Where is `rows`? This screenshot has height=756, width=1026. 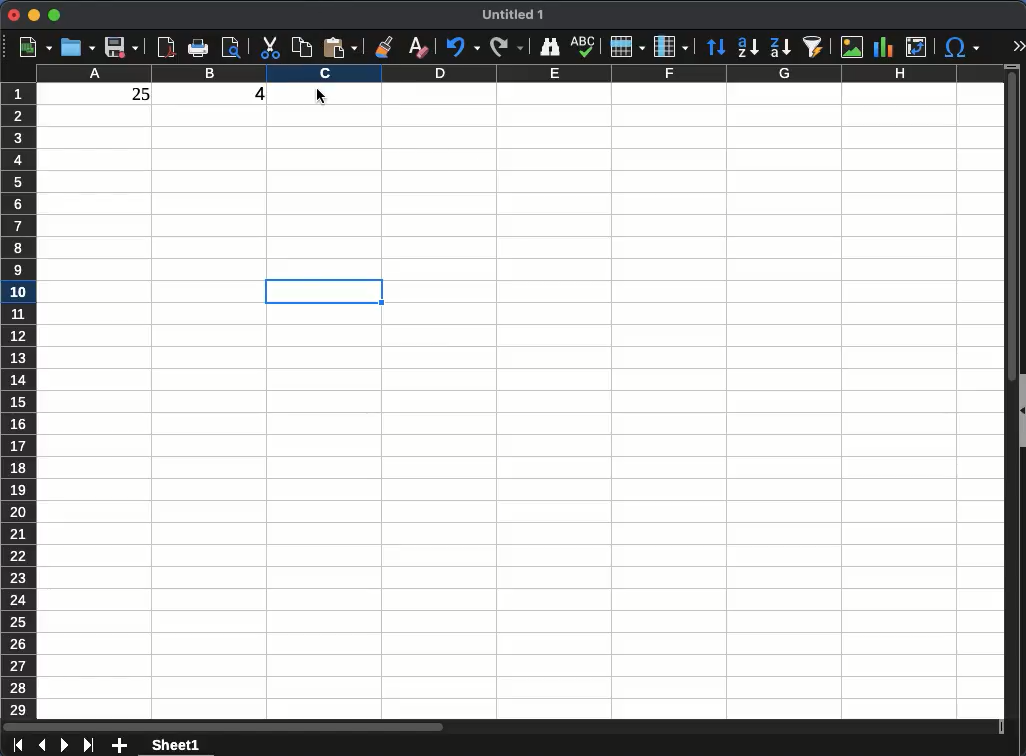 rows is located at coordinates (628, 46).